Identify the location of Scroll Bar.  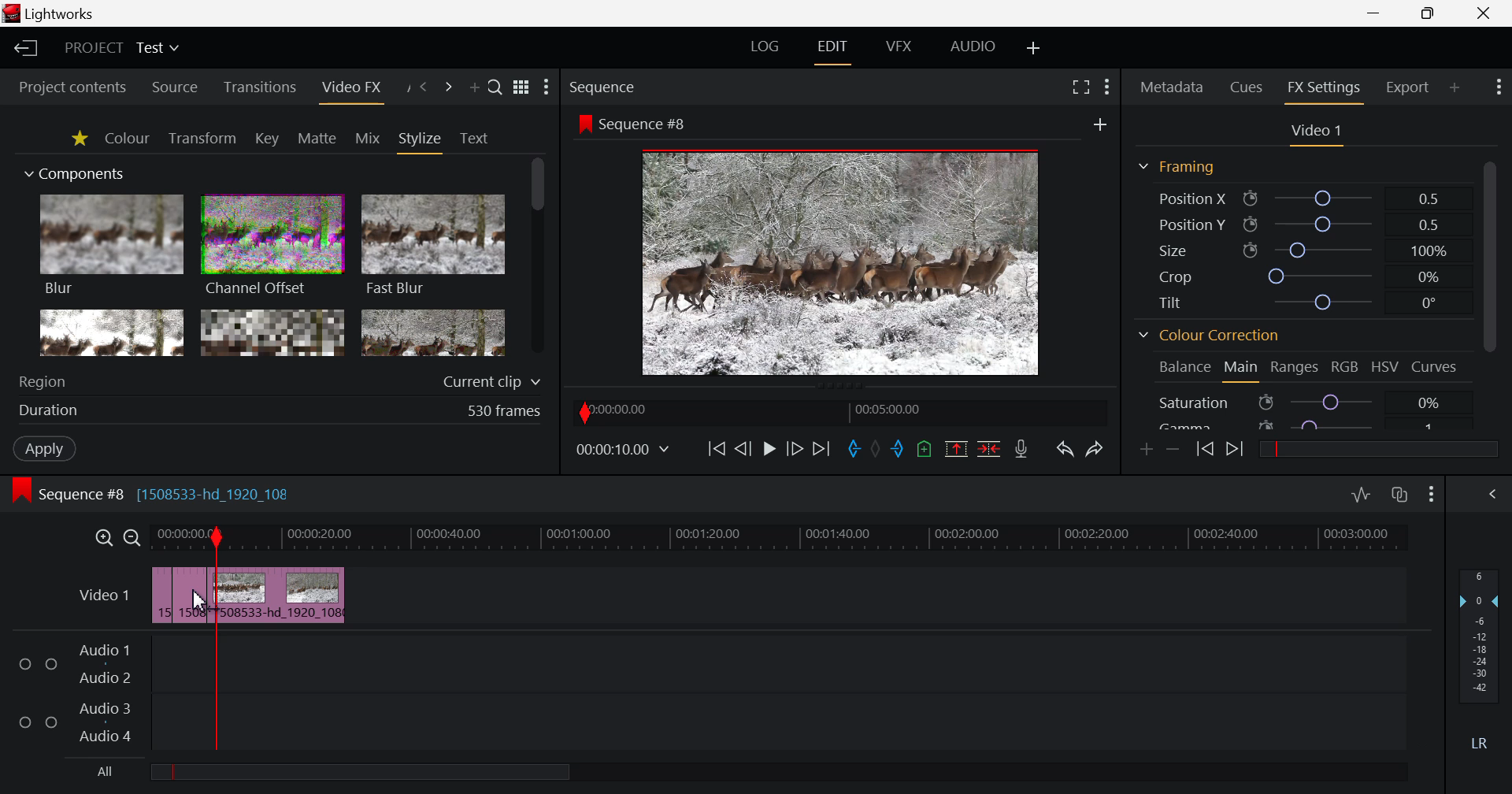
(538, 258).